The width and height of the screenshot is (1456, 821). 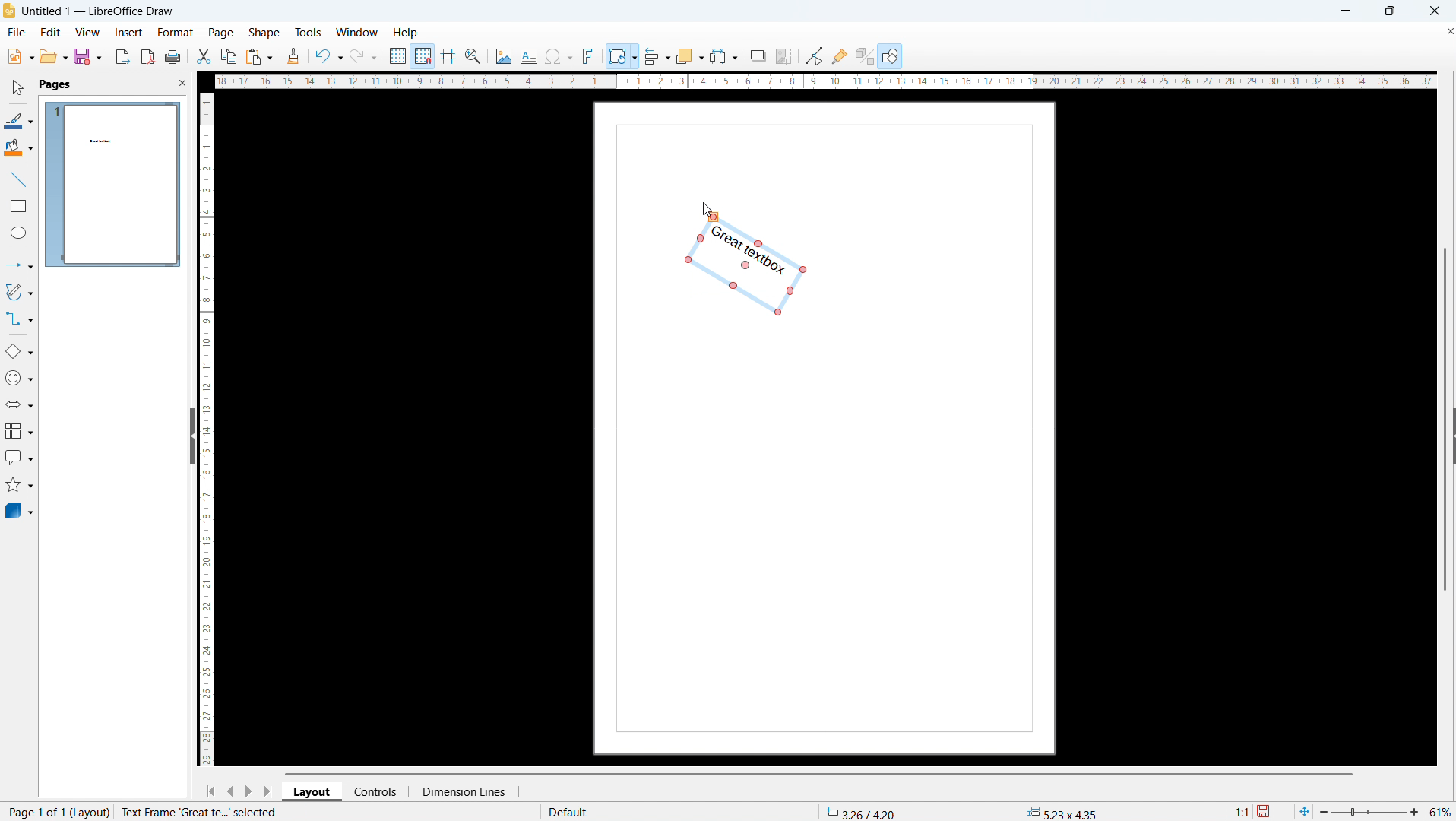 I want to click on Close , so click(x=1433, y=11).